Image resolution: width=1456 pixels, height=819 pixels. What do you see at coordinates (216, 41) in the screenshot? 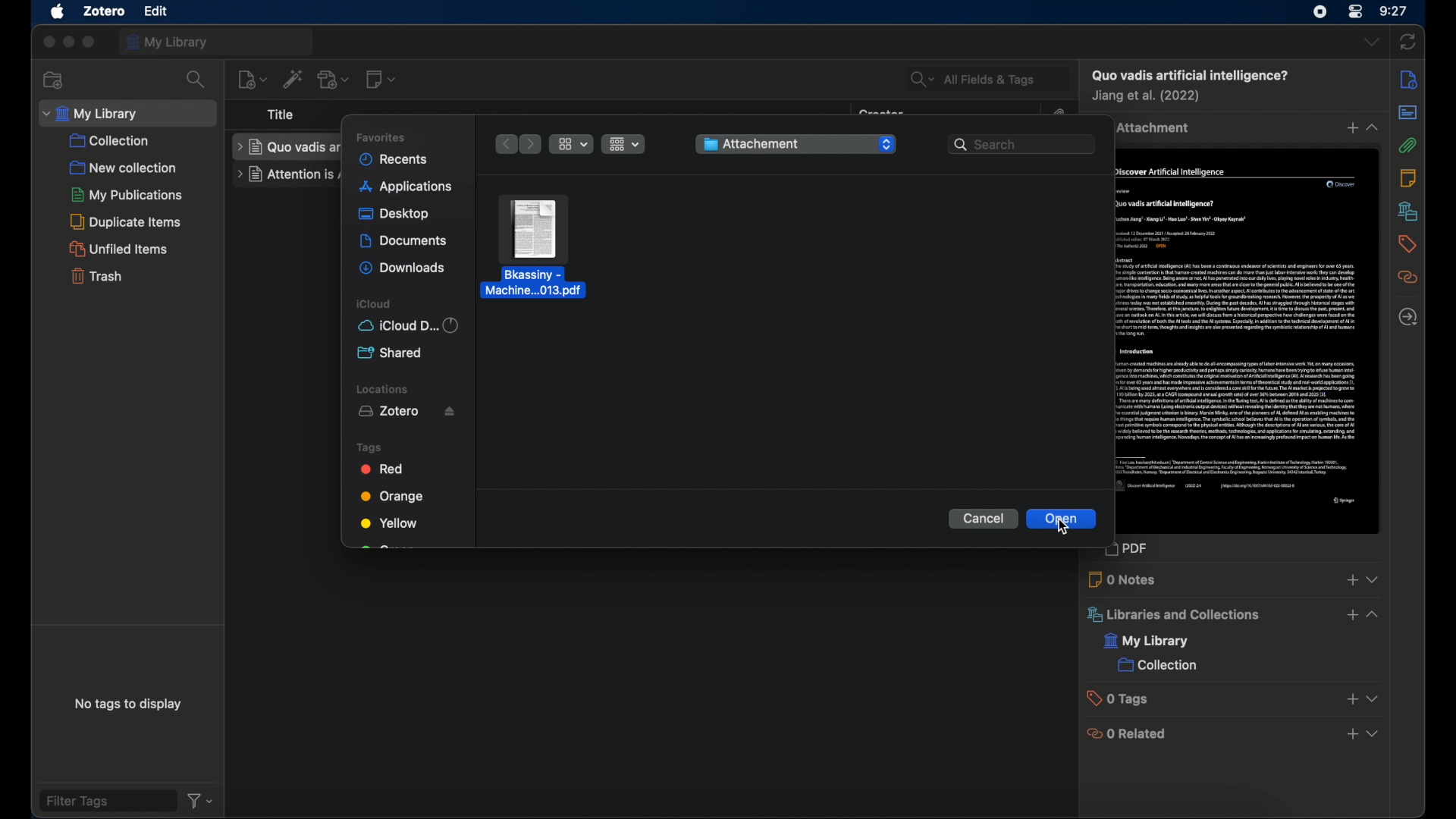
I see `my library` at bounding box center [216, 41].